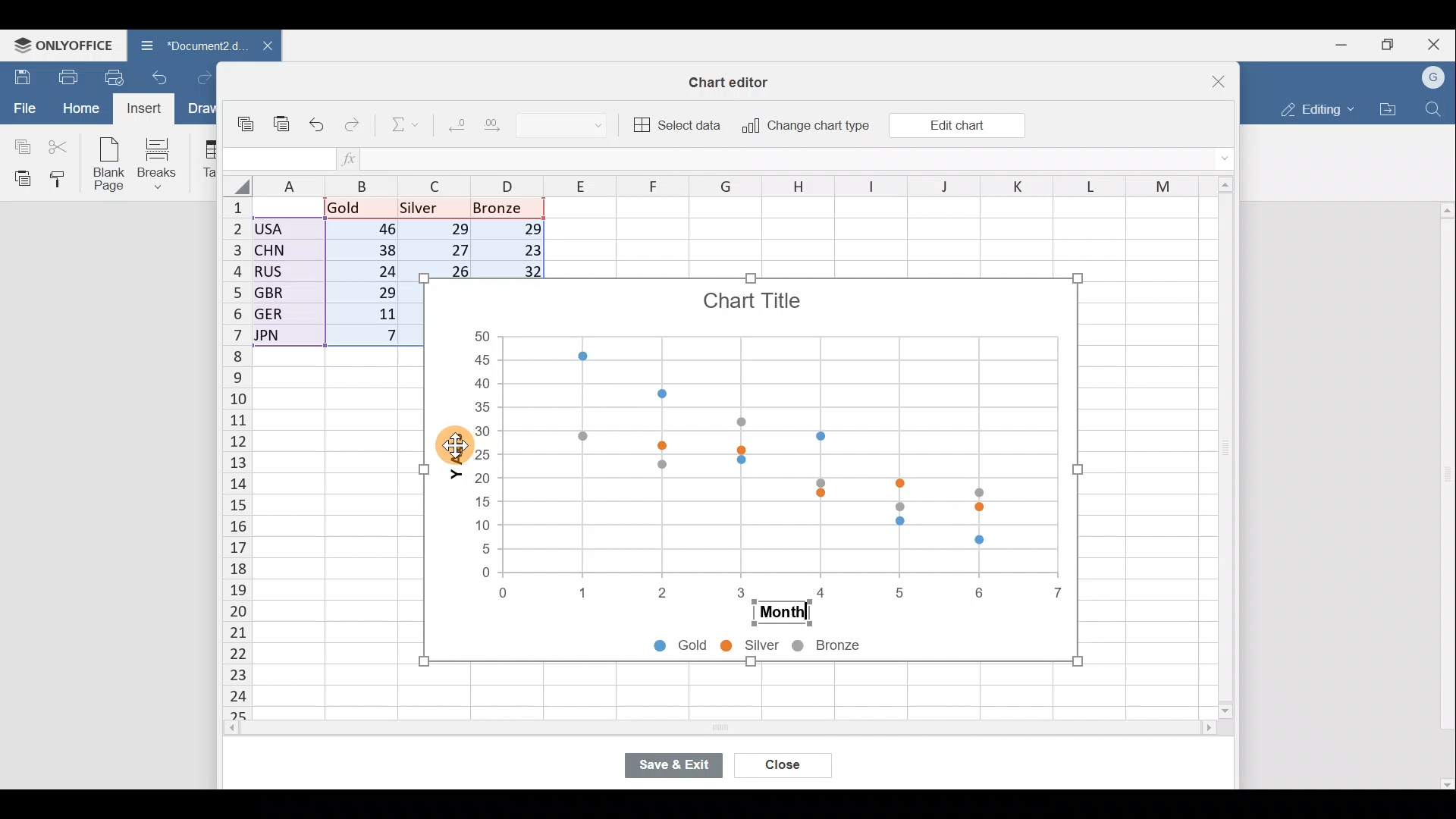 The image size is (1456, 819). What do you see at coordinates (397, 127) in the screenshot?
I see `Summation` at bounding box center [397, 127].